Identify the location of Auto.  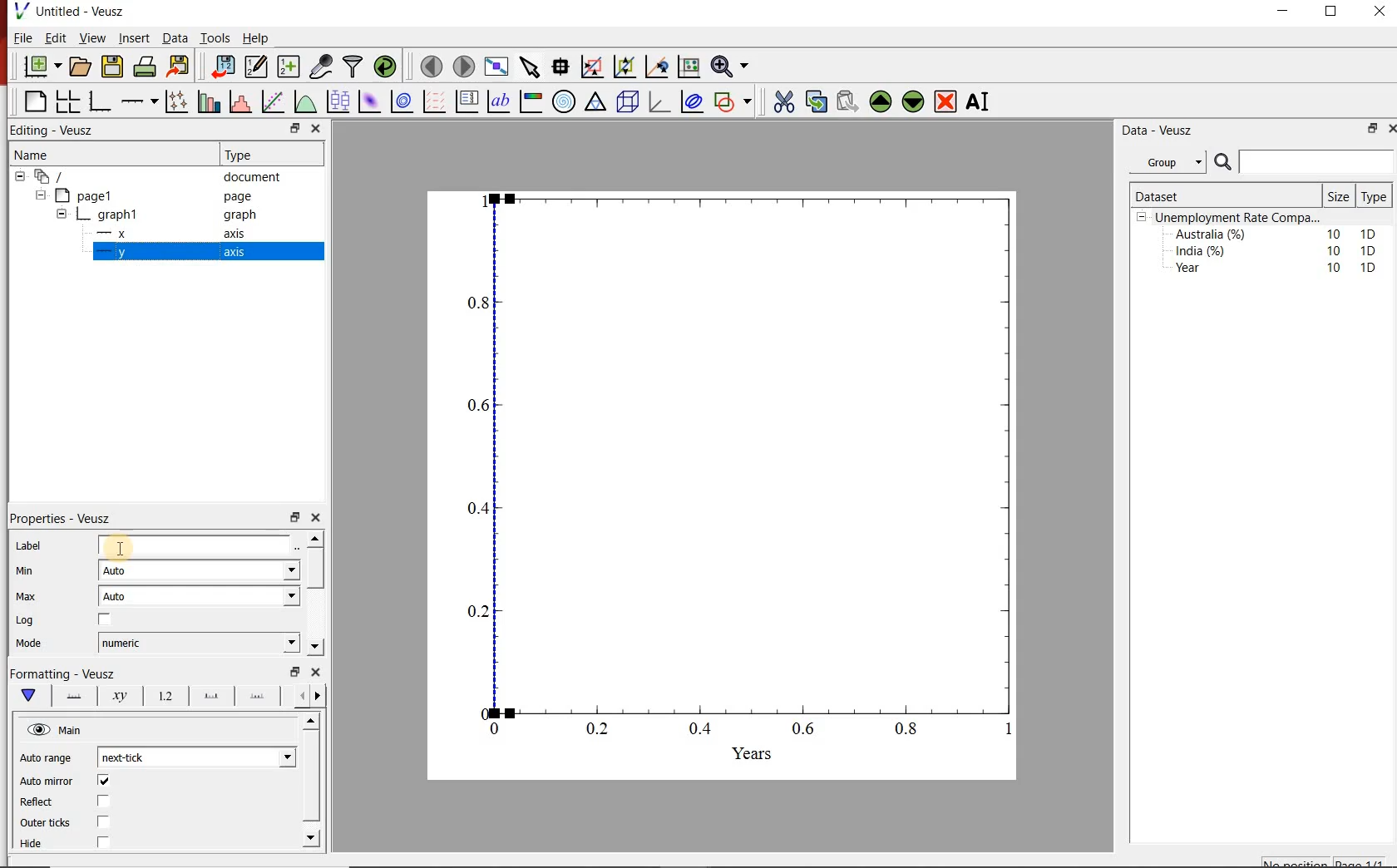
(200, 596).